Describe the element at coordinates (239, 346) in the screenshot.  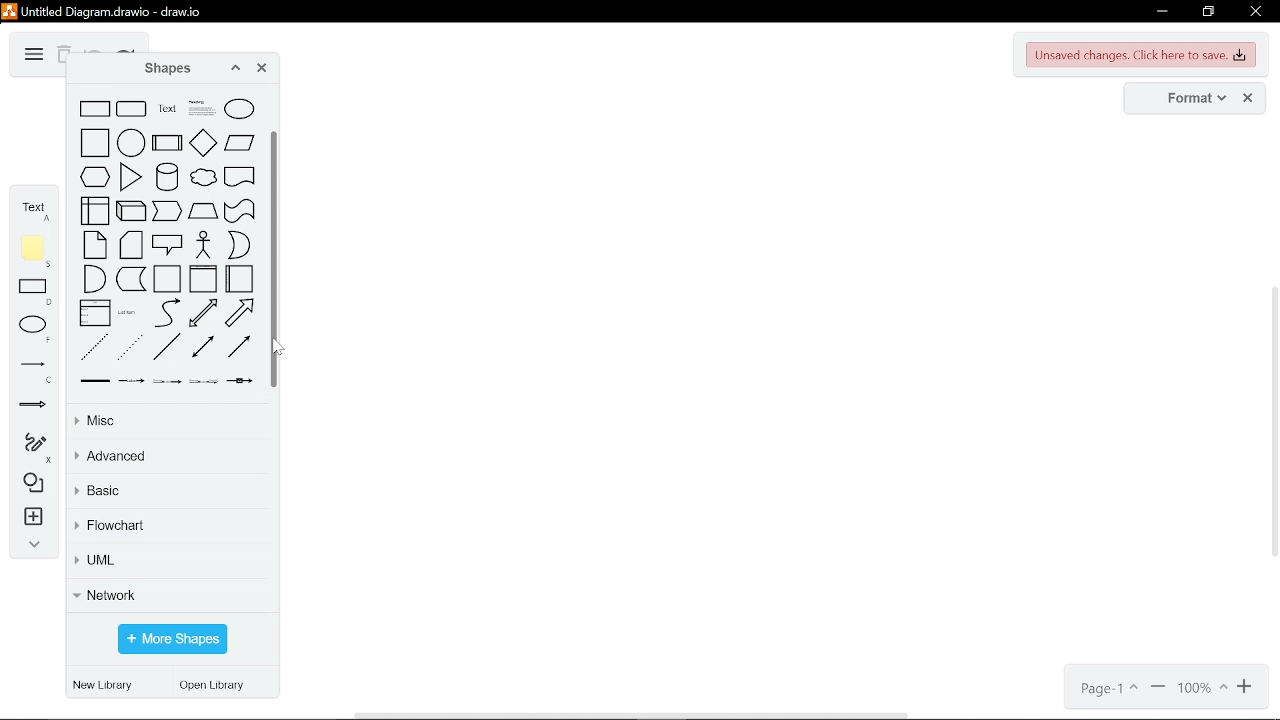
I see `directional connector` at that location.